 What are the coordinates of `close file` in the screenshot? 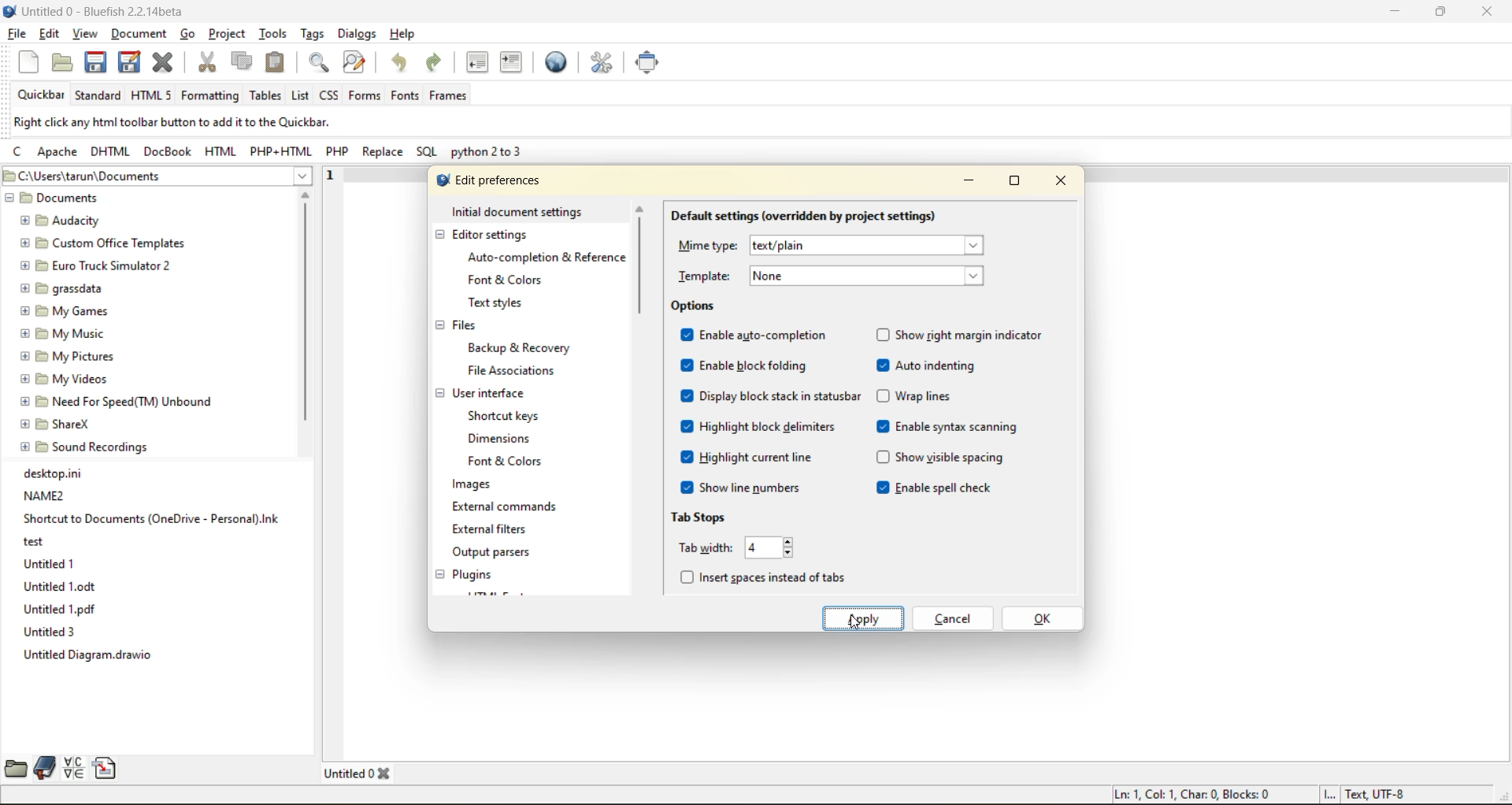 It's located at (164, 63).